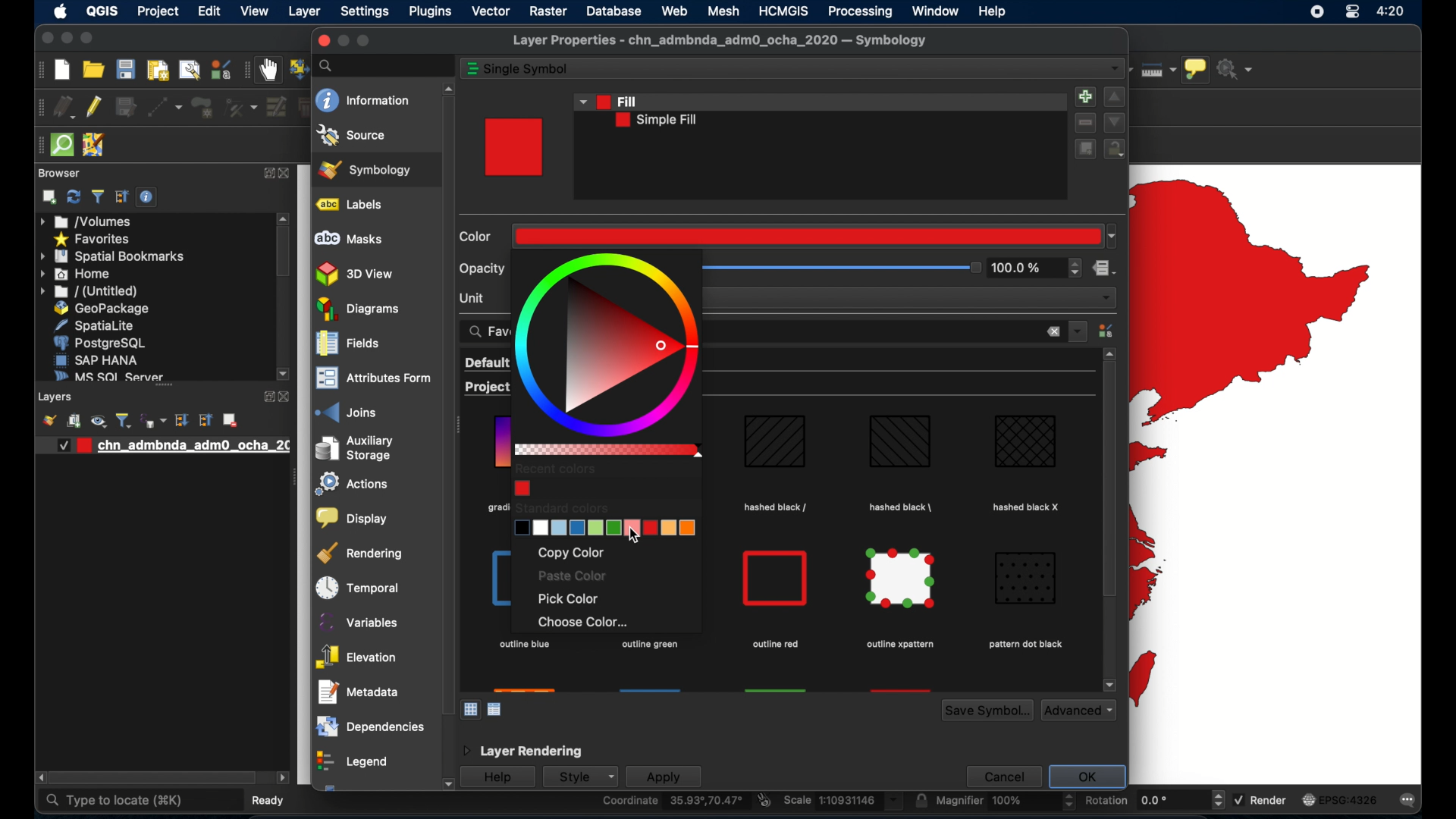 The width and height of the screenshot is (1456, 819). I want to click on close, so click(321, 41).